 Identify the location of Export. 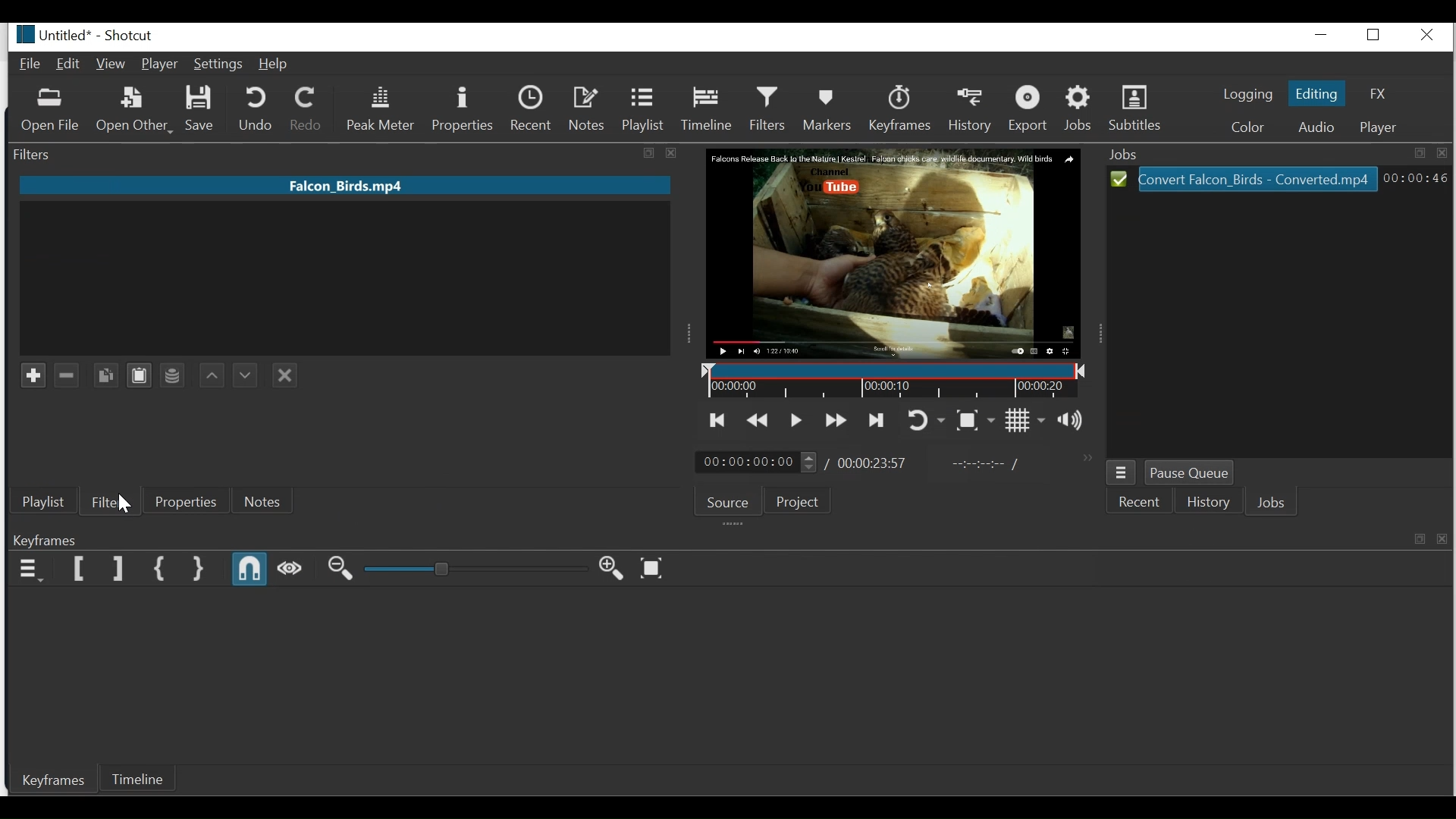
(1031, 110).